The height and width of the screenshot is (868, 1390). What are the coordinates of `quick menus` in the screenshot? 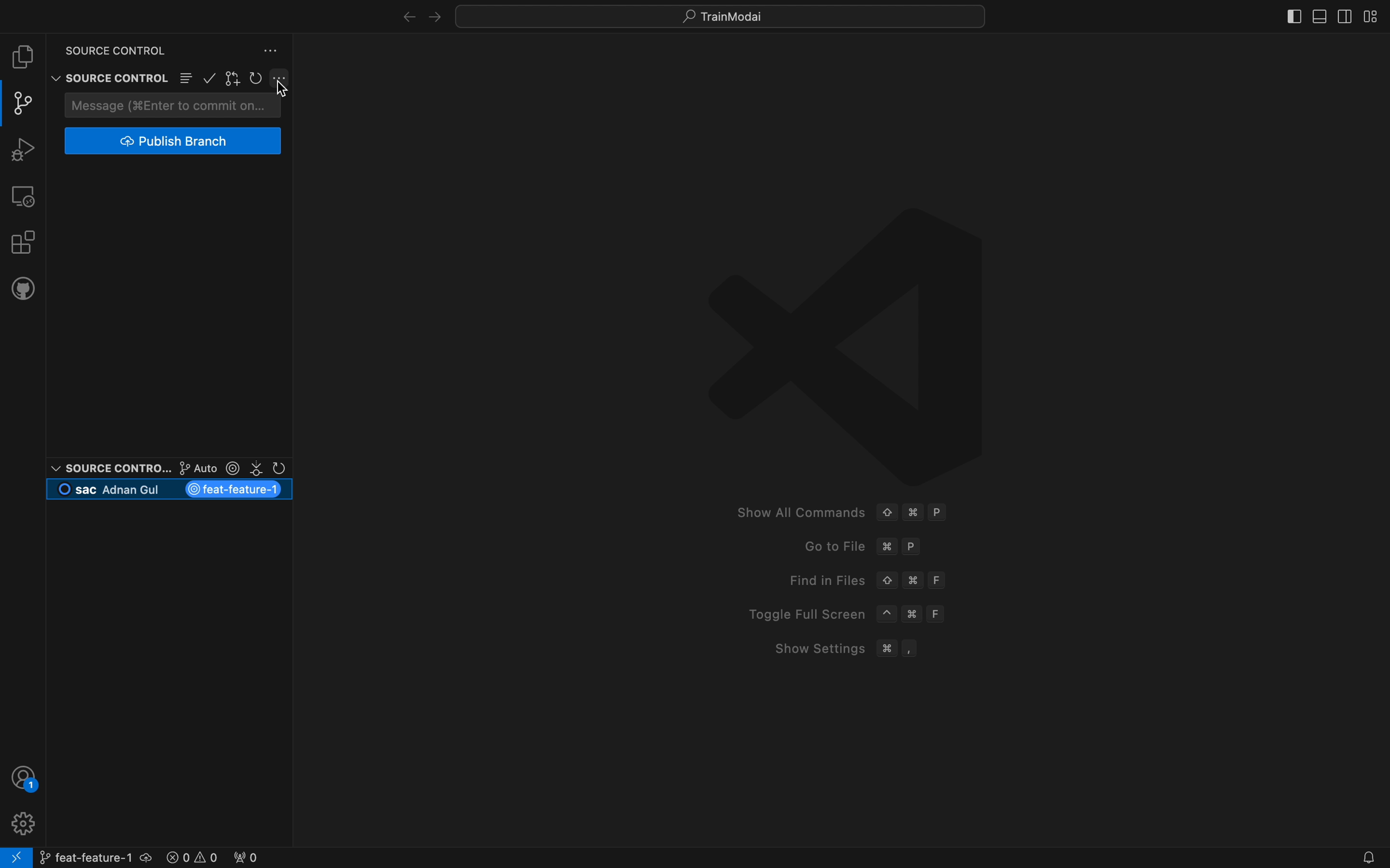 It's located at (723, 15).